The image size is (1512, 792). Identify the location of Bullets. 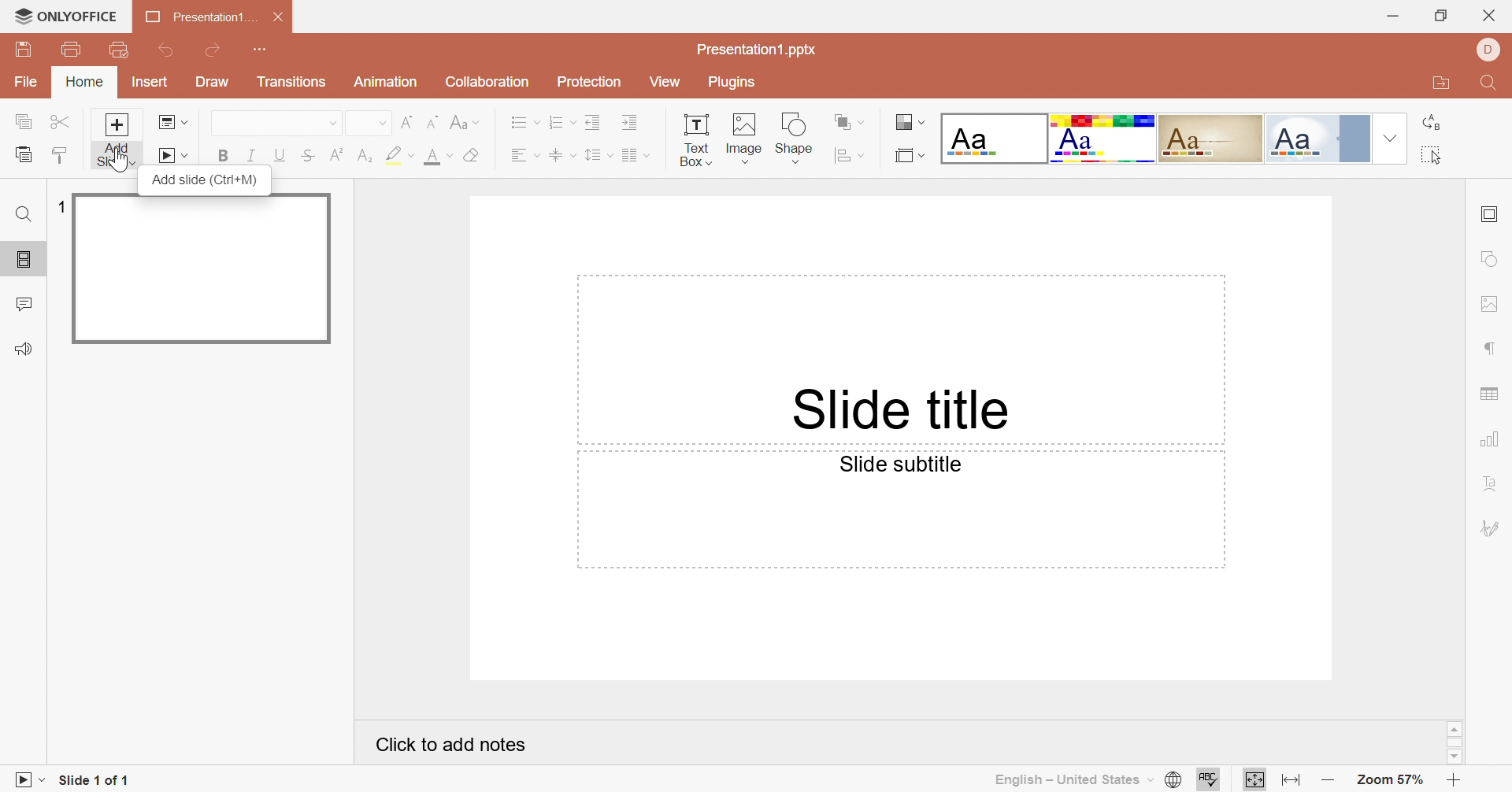
(525, 121).